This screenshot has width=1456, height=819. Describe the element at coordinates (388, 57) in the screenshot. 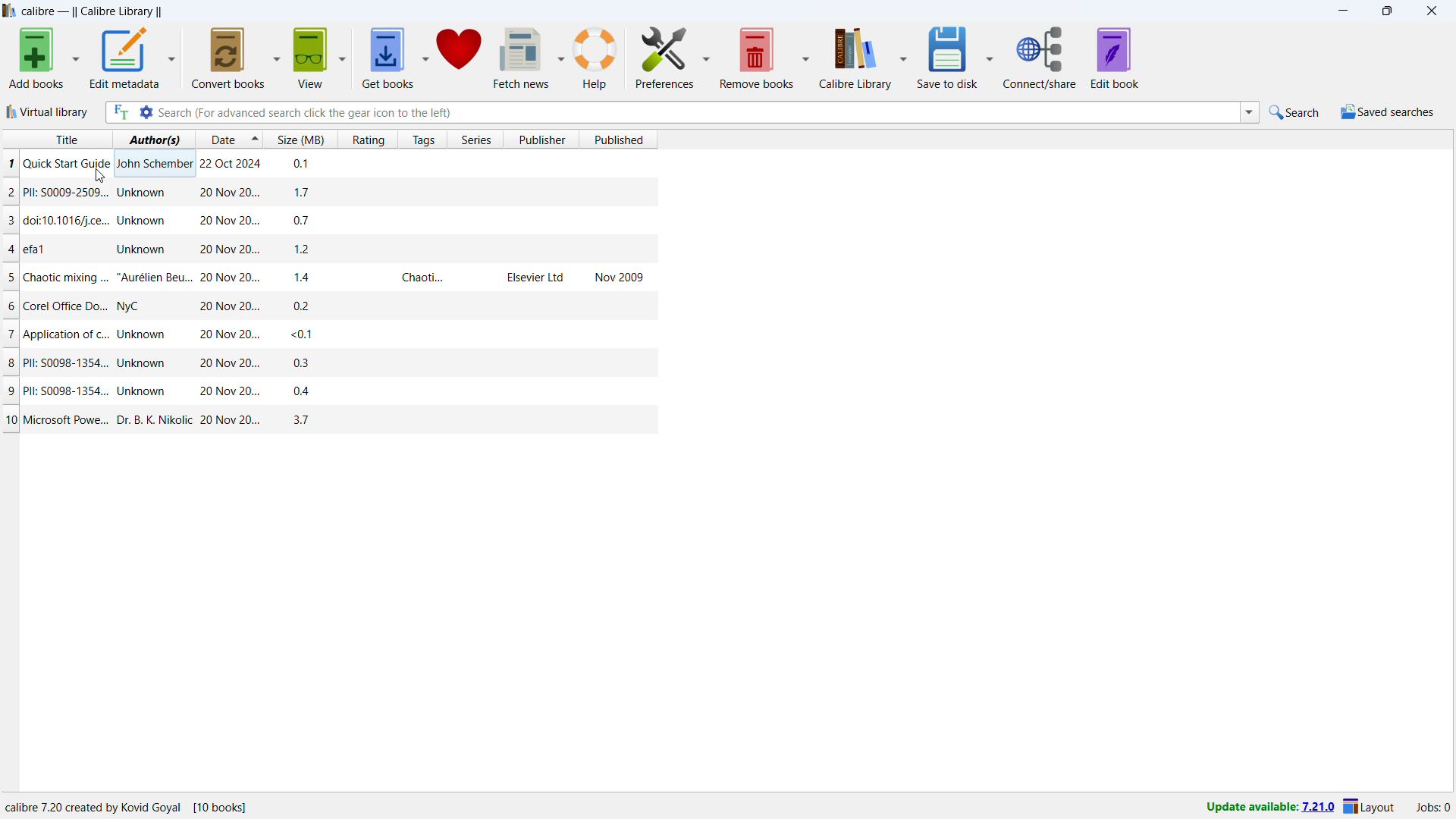

I see `get books` at that location.